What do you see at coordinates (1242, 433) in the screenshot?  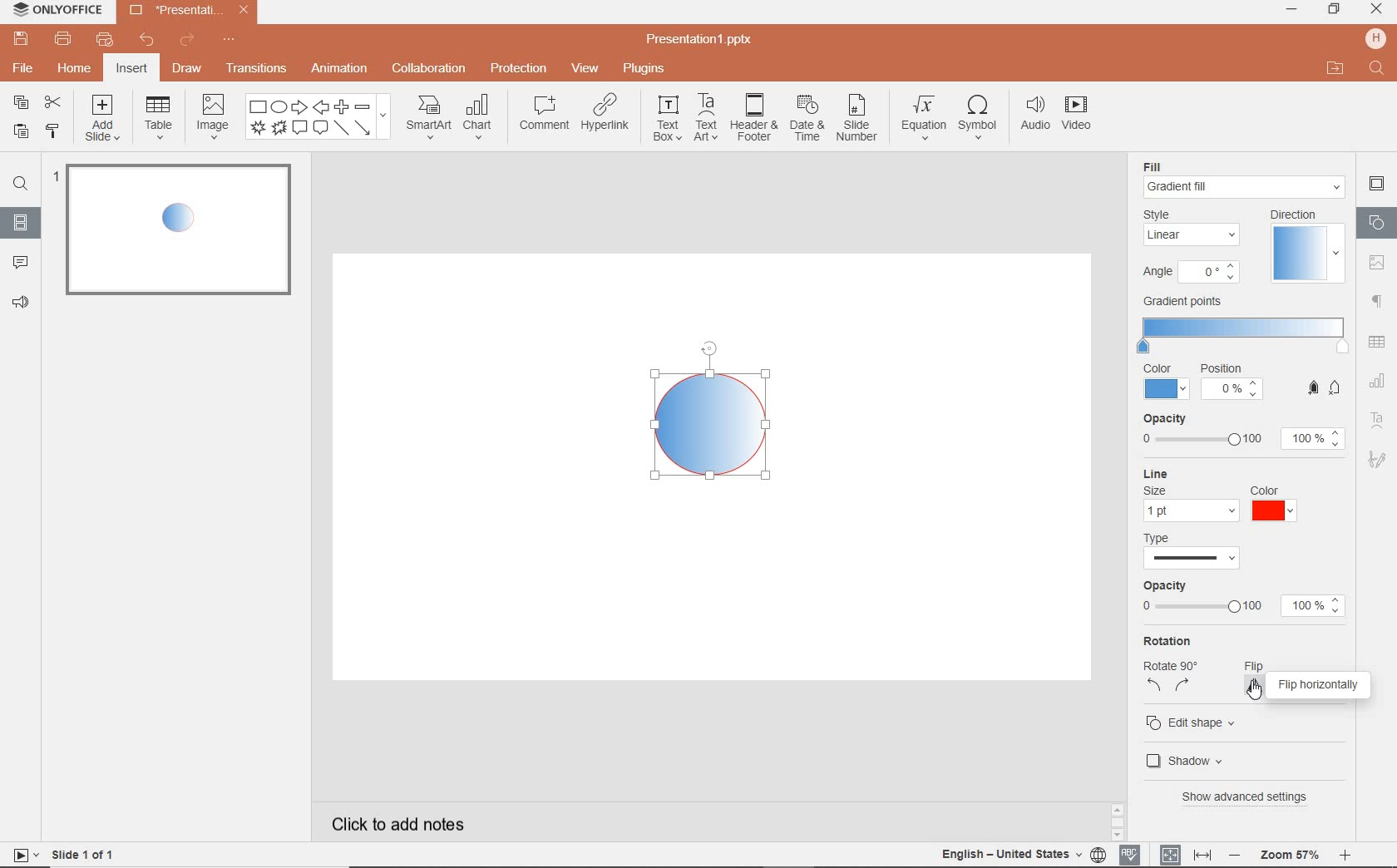 I see `OPACITY` at bounding box center [1242, 433].